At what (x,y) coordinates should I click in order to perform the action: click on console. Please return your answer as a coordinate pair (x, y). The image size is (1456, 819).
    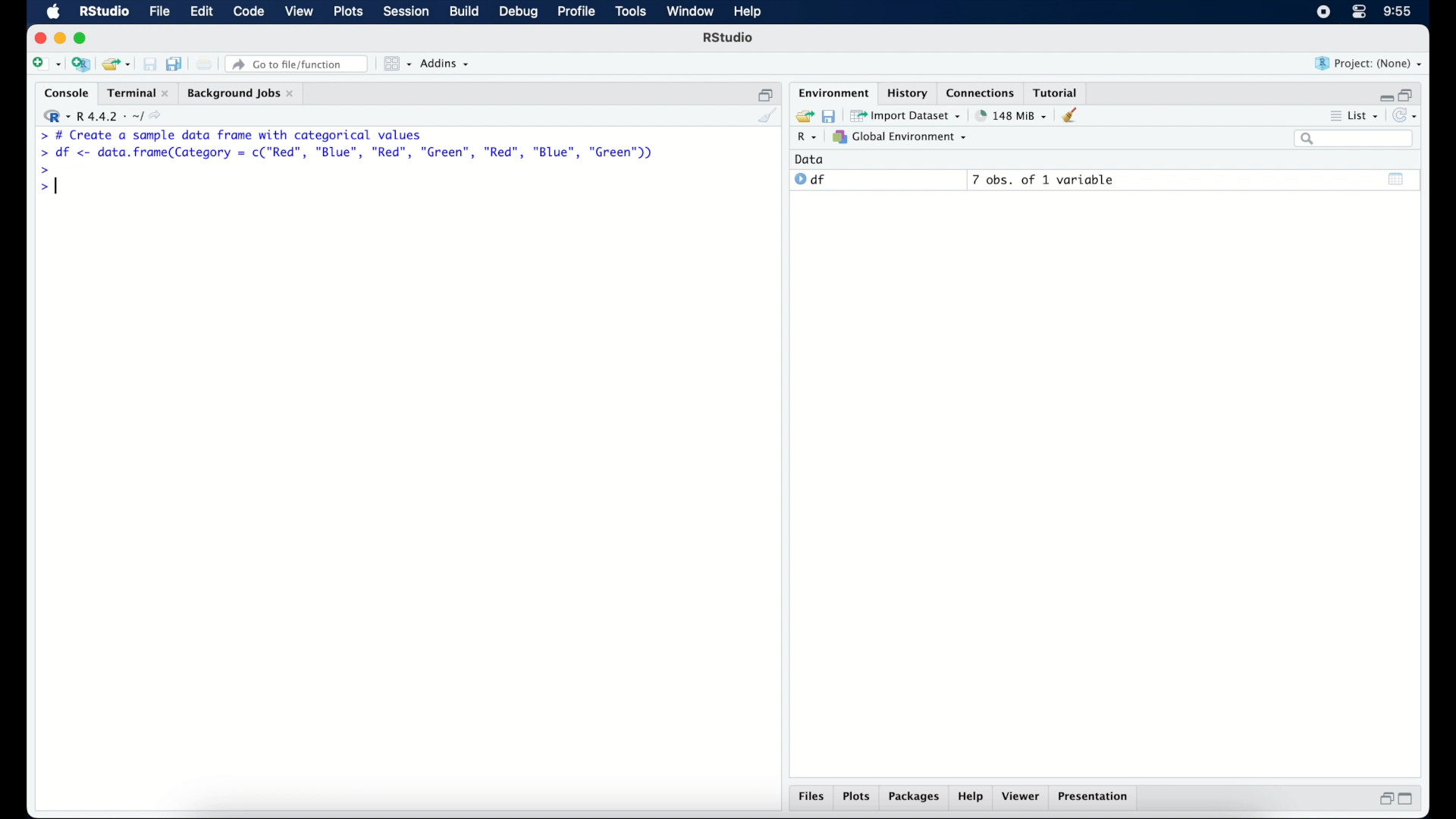
    Looking at the image, I should click on (63, 92).